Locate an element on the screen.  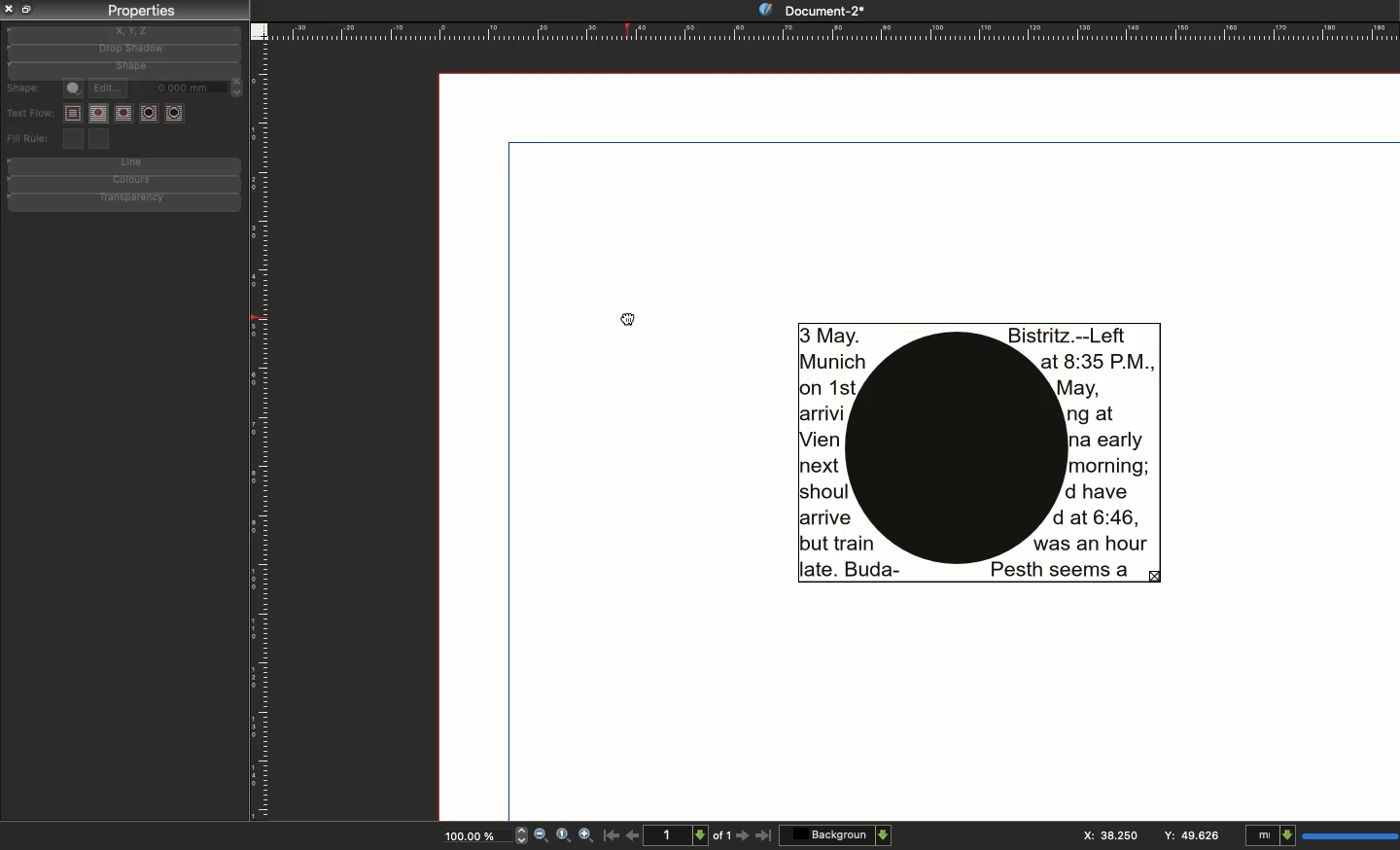
Fill rule is located at coordinates (31, 140).